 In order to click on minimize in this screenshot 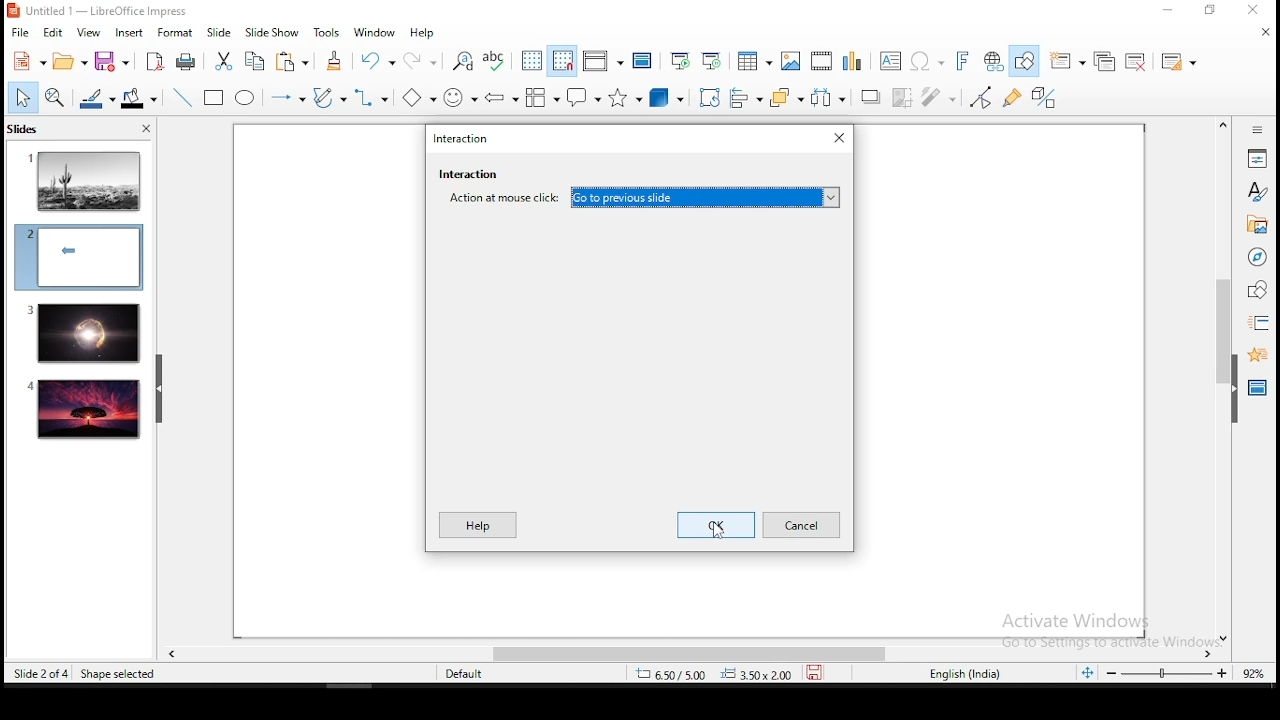, I will do `click(1167, 11)`.